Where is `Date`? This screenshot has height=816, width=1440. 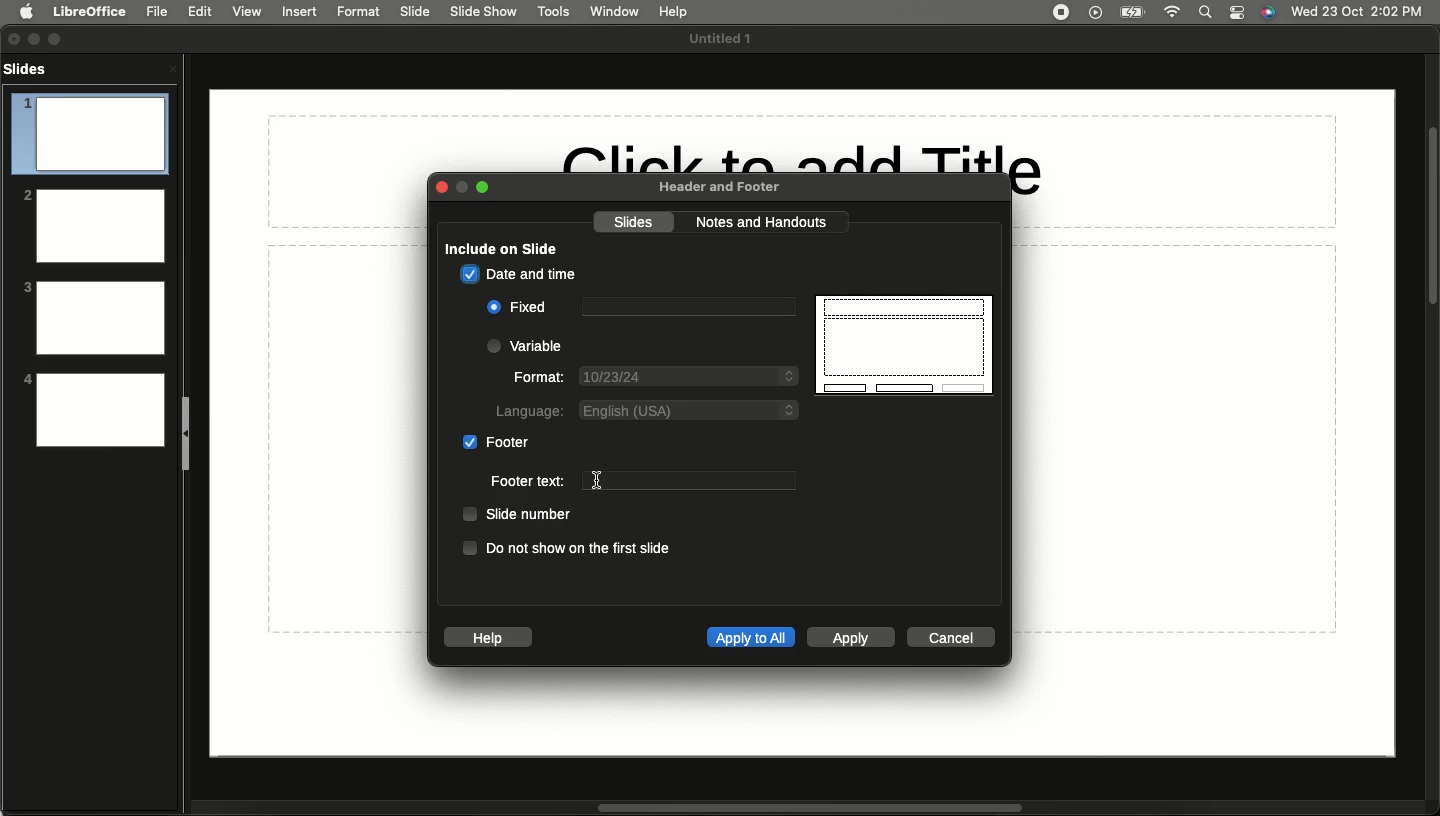 Date is located at coordinates (688, 377).